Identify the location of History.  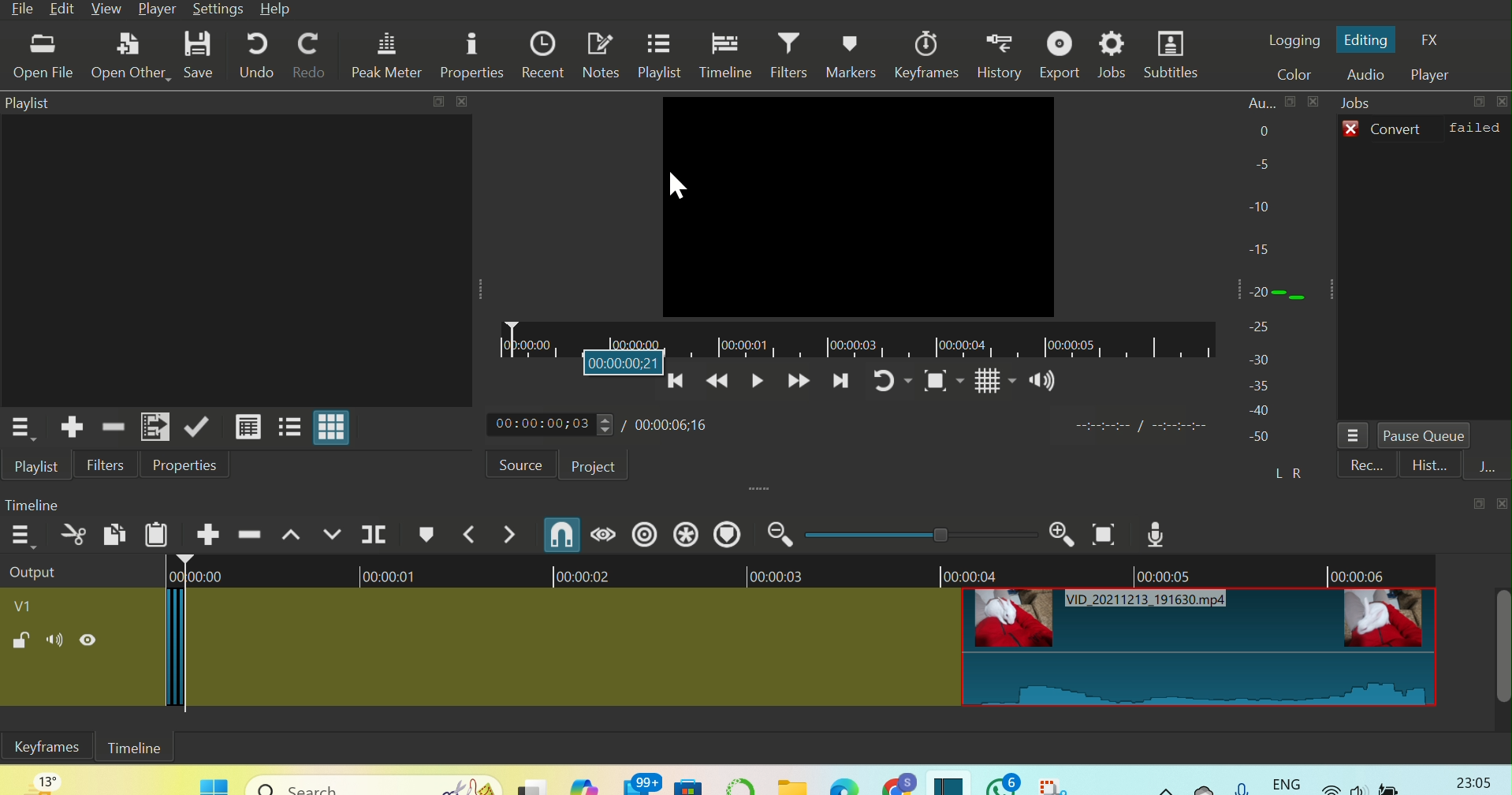
(998, 52).